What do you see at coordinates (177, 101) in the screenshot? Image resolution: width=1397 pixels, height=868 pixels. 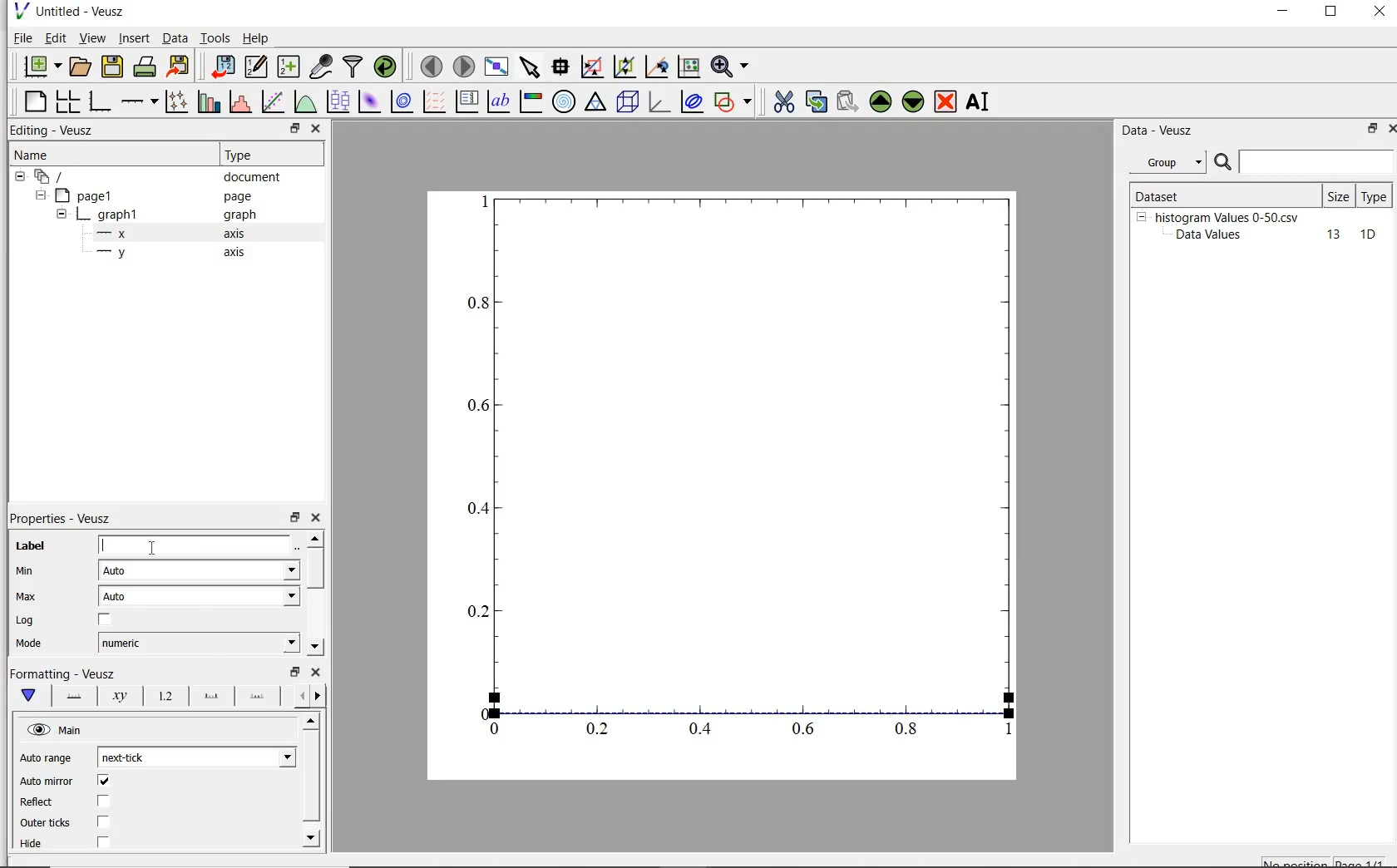 I see `plot points with line and error bars` at bounding box center [177, 101].